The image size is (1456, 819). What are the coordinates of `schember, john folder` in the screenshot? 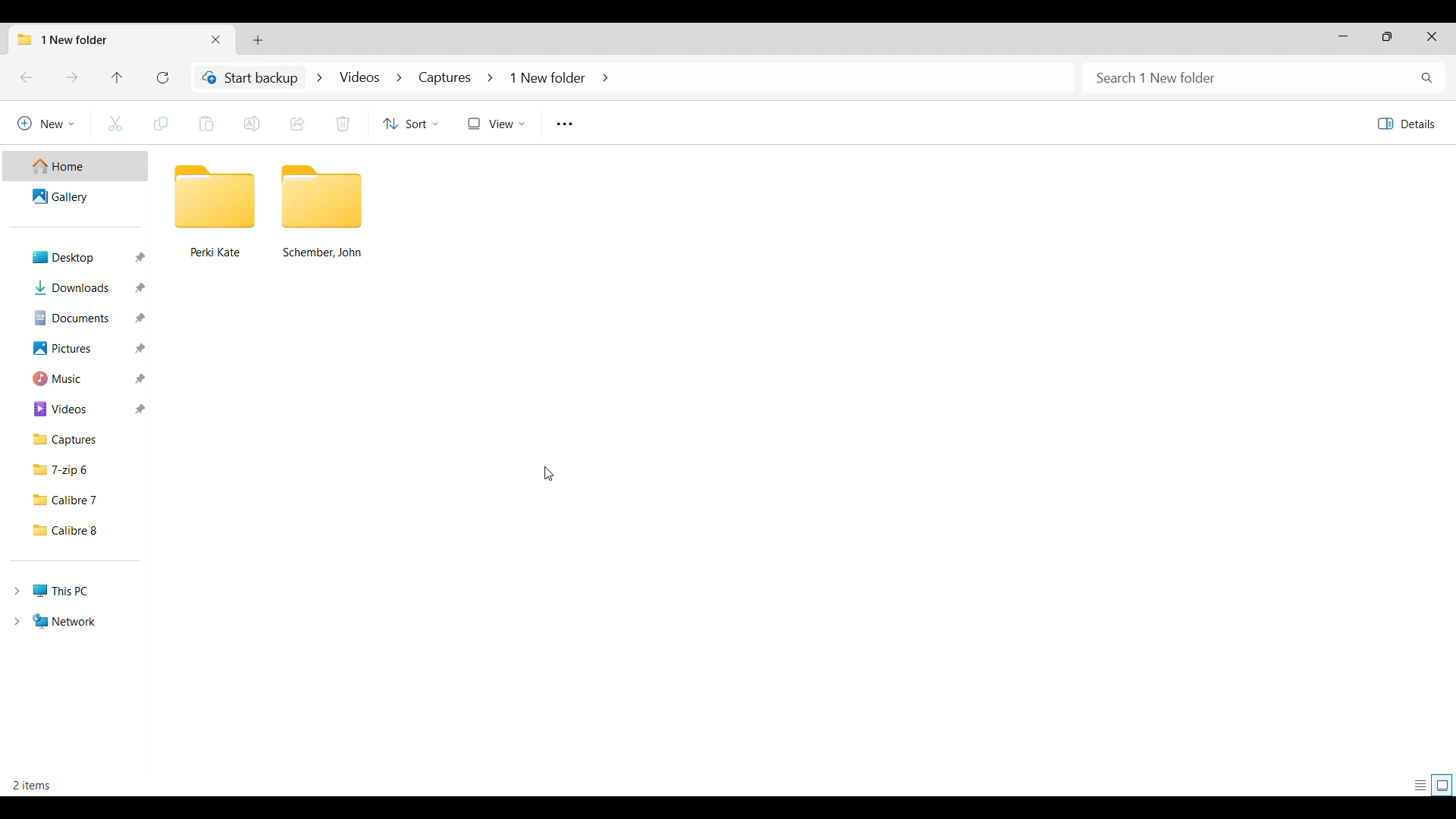 It's located at (323, 213).